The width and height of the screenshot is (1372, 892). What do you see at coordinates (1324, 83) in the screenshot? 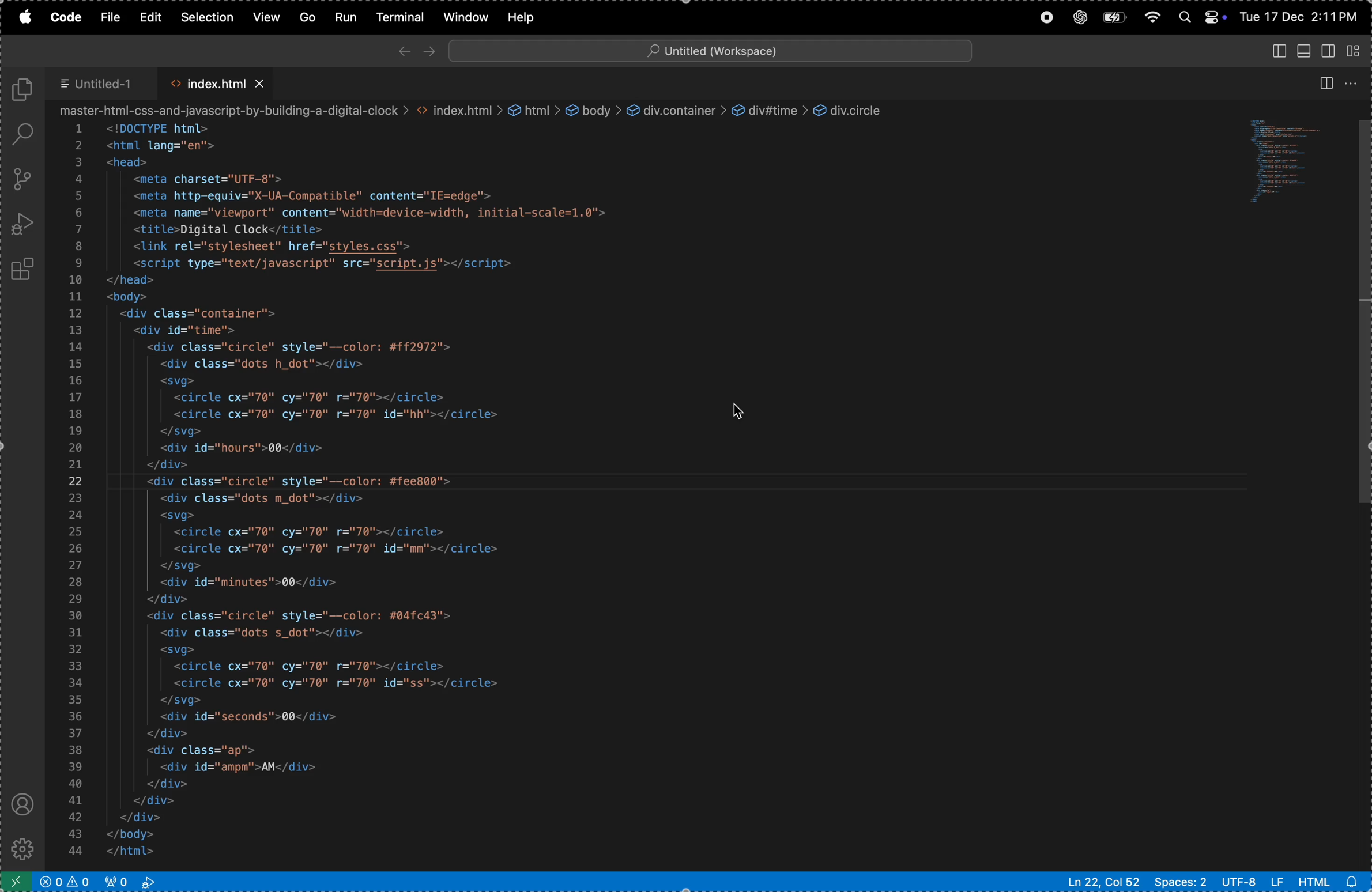
I see `split ` at bounding box center [1324, 83].